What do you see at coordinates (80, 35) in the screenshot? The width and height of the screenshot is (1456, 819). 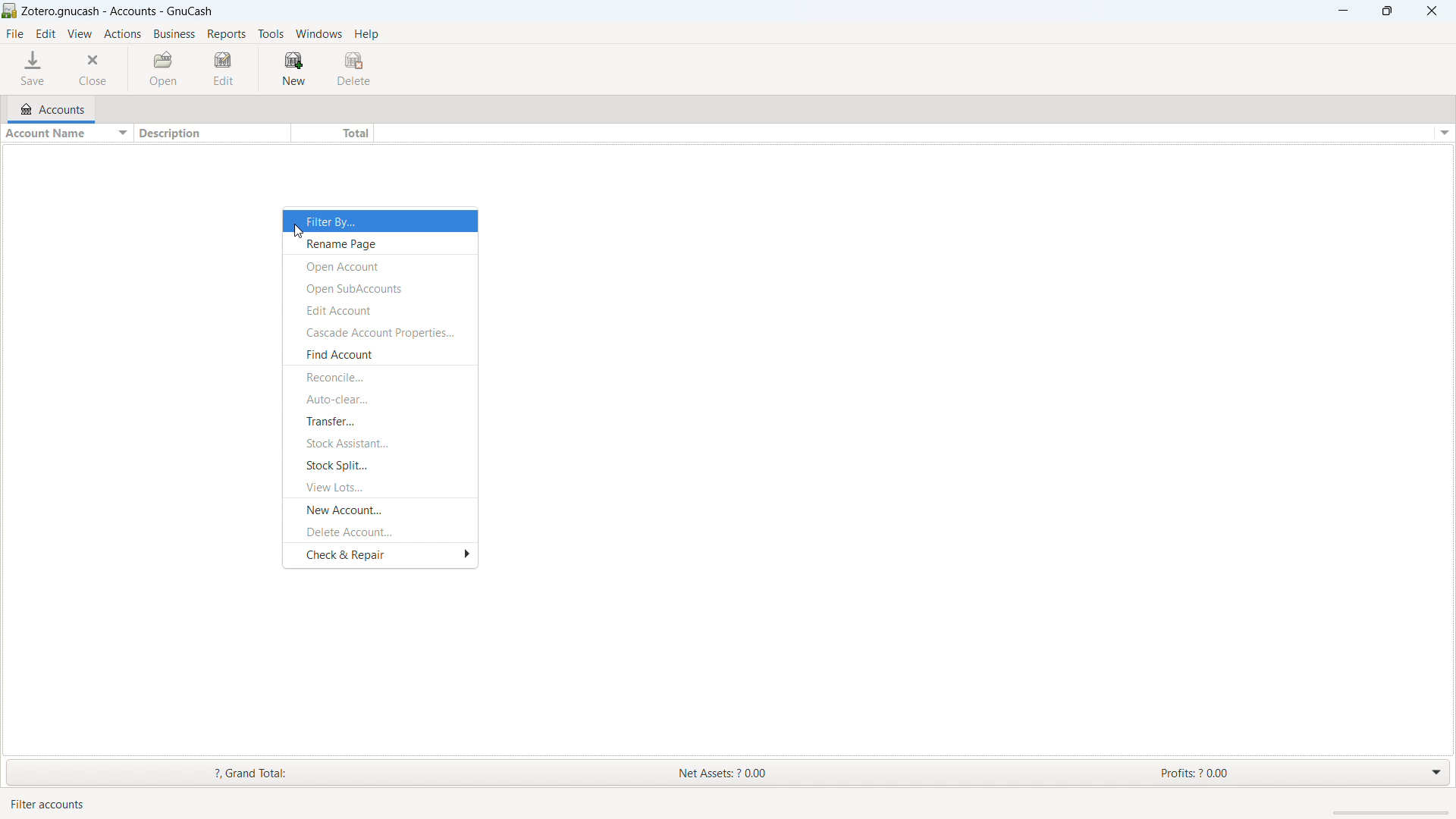 I see `view` at bounding box center [80, 35].